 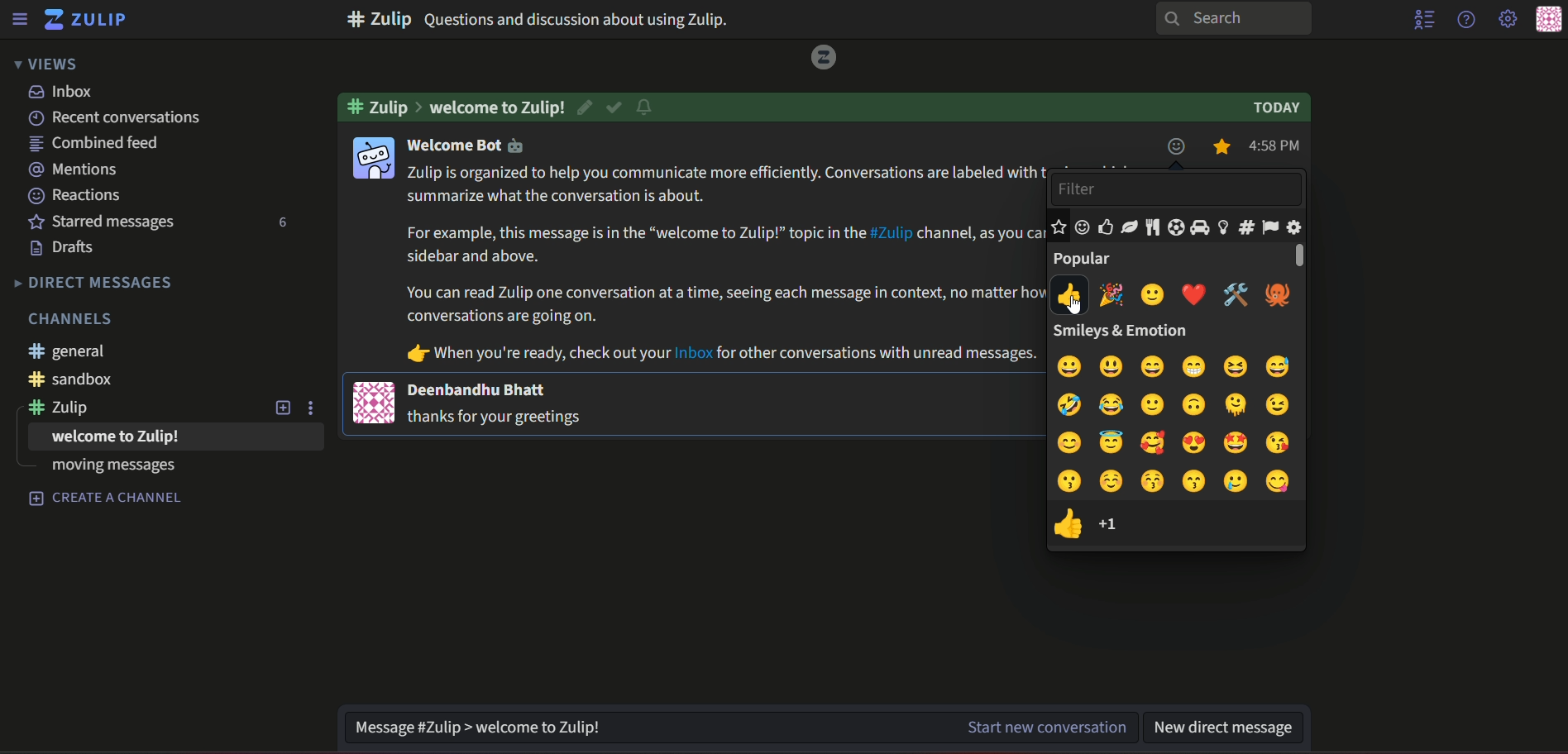 What do you see at coordinates (1174, 295) in the screenshot?
I see `popular emojis` at bounding box center [1174, 295].